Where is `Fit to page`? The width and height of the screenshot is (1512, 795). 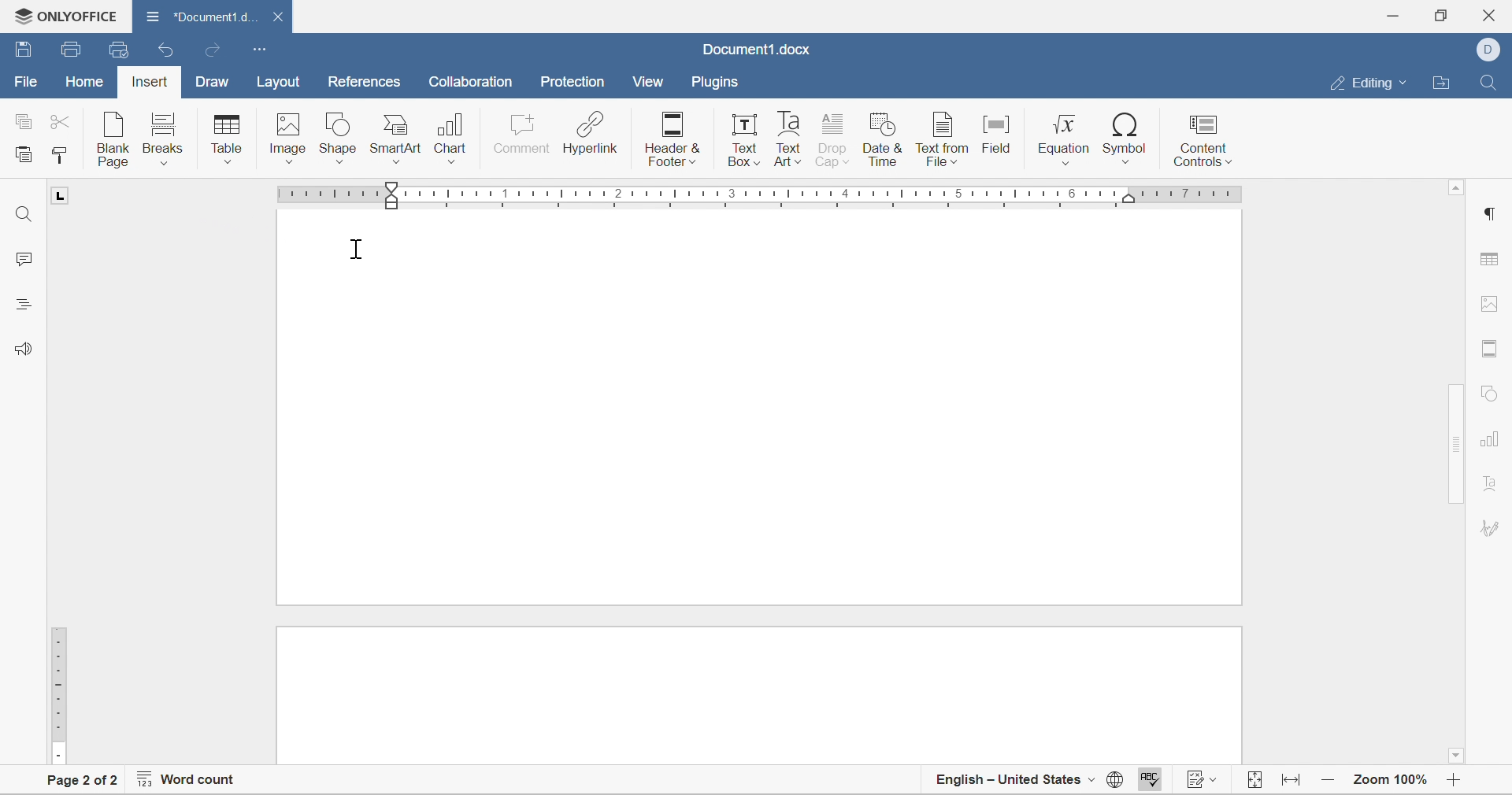 Fit to page is located at coordinates (1293, 782).